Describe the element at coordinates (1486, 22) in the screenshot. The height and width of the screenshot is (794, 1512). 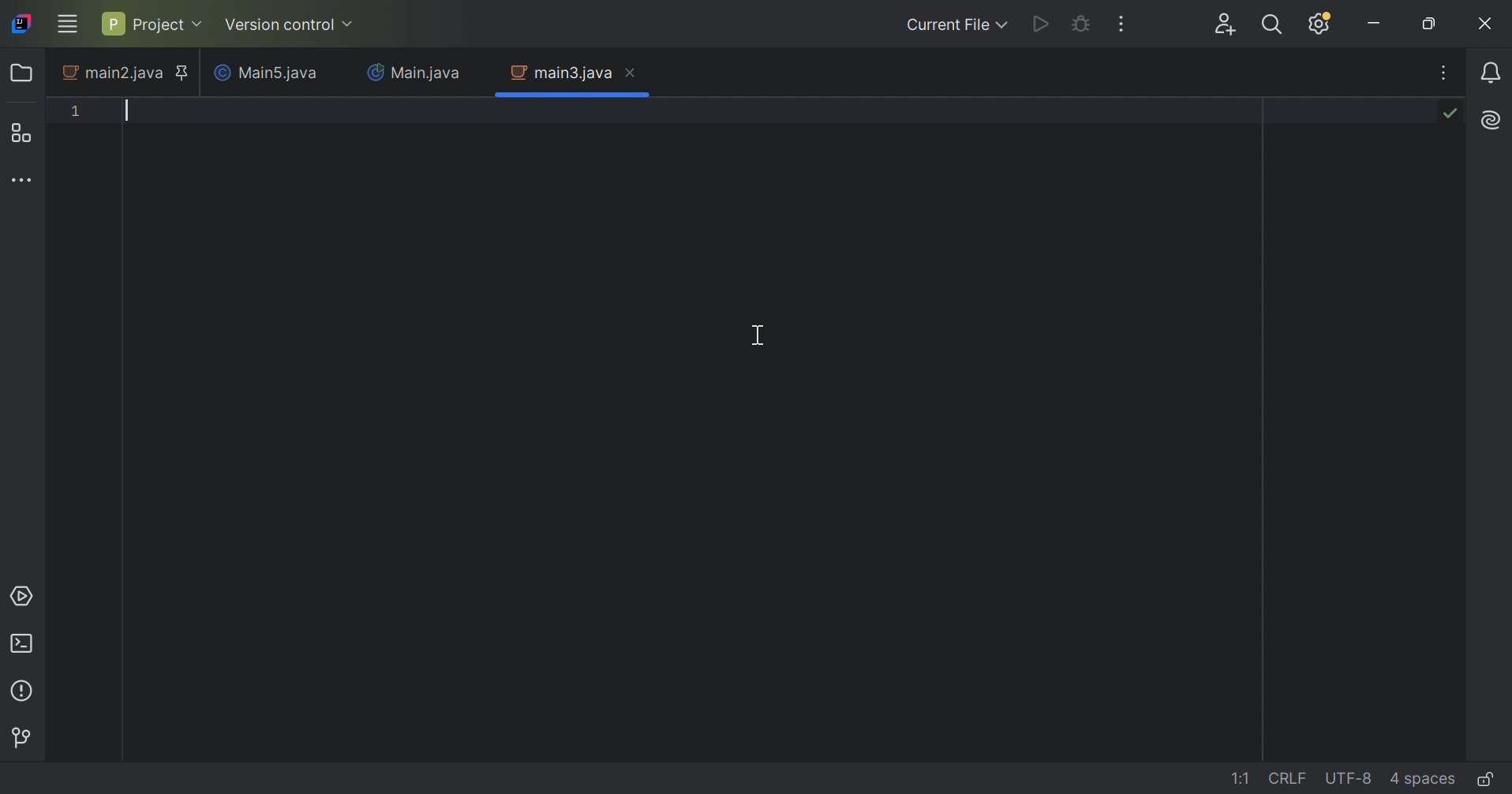
I see `Close` at that location.